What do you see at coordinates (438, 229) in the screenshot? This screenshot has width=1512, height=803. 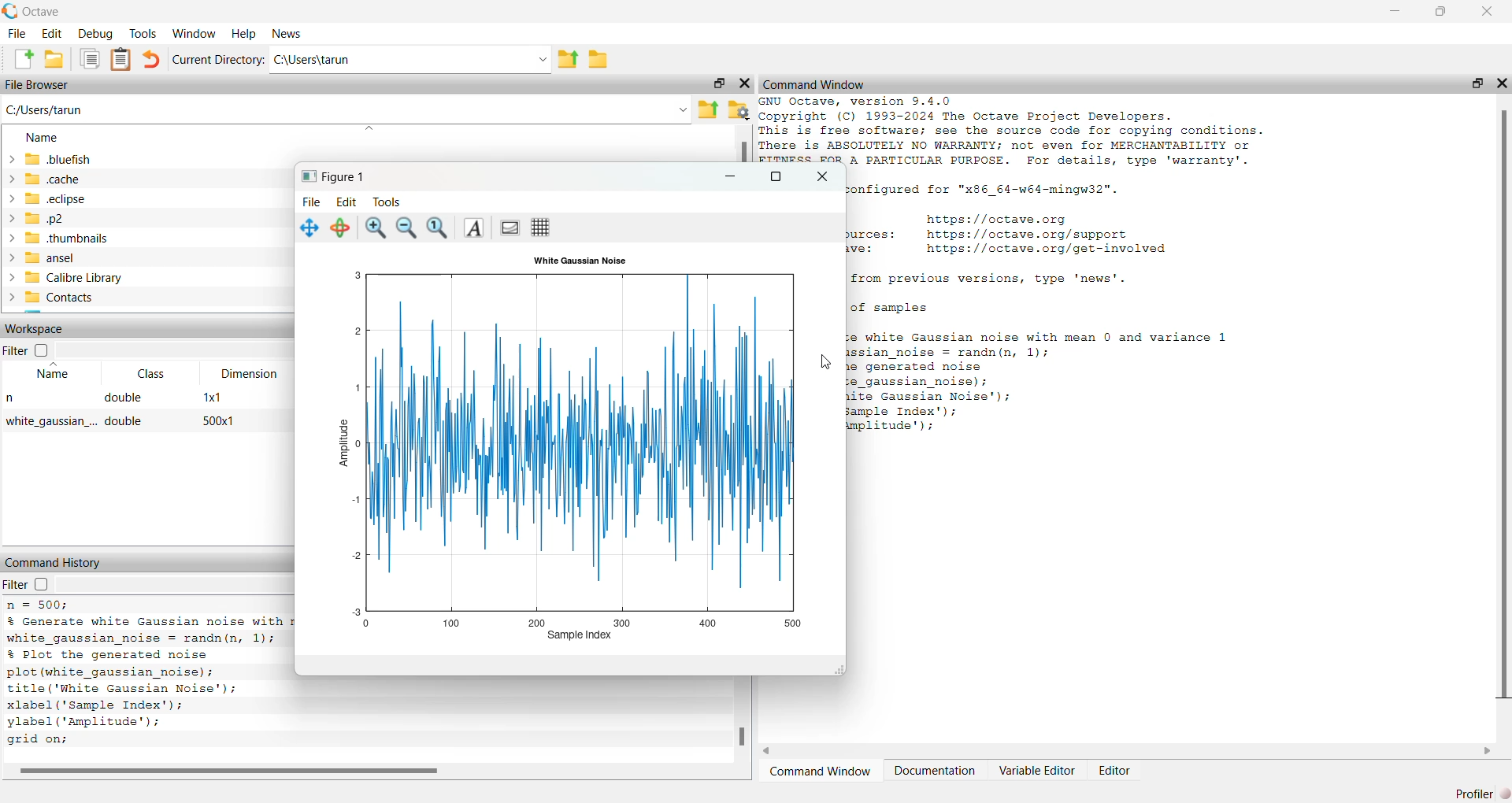 I see `Automatic limits for current axes` at bounding box center [438, 229].